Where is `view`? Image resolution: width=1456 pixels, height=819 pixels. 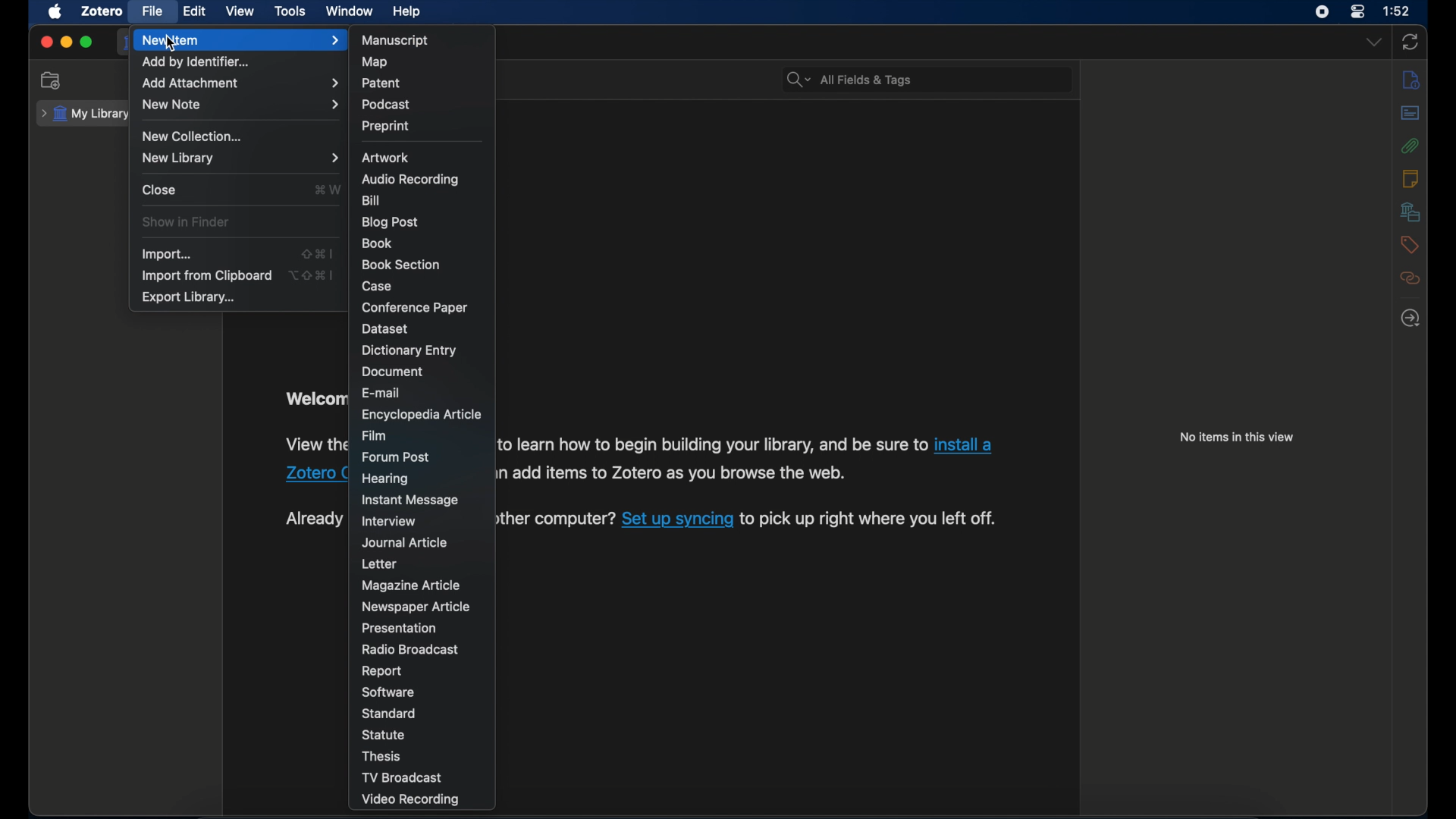
view is located at coordinates (240, 11).